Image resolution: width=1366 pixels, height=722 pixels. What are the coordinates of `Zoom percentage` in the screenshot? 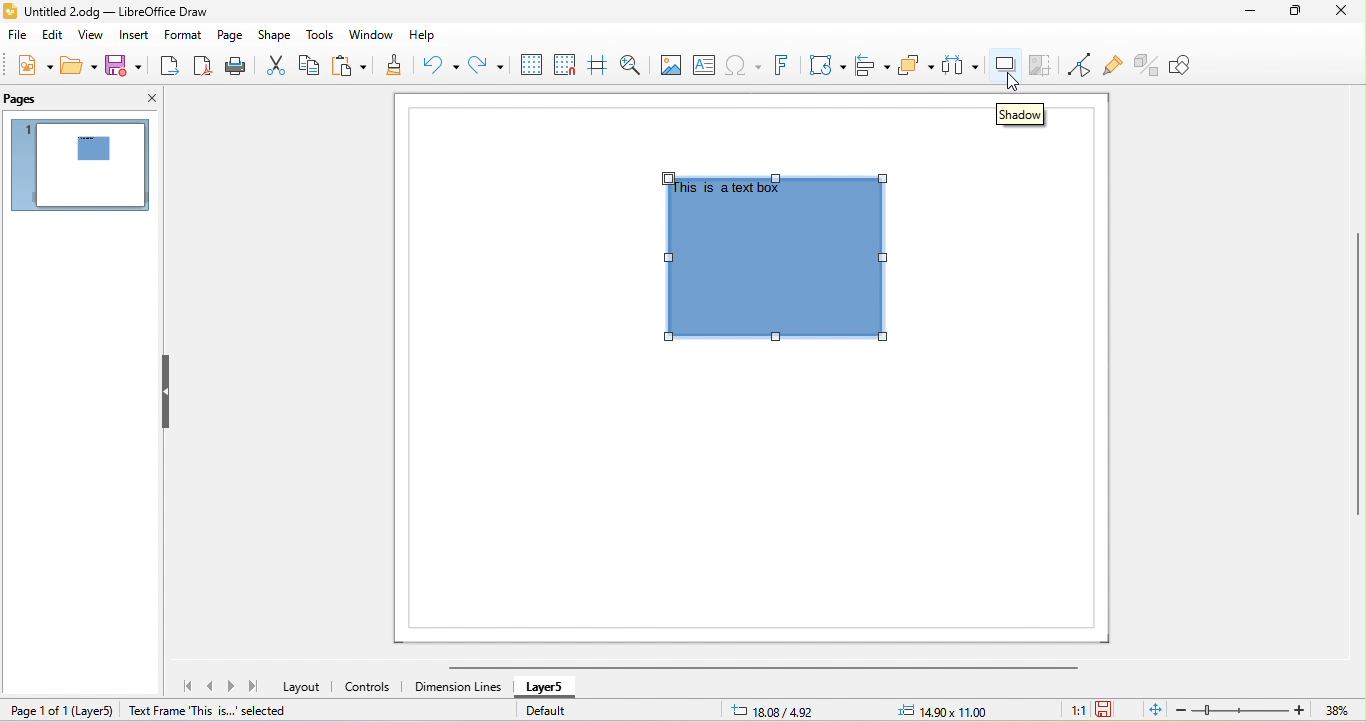 It's located at (1336, 711).